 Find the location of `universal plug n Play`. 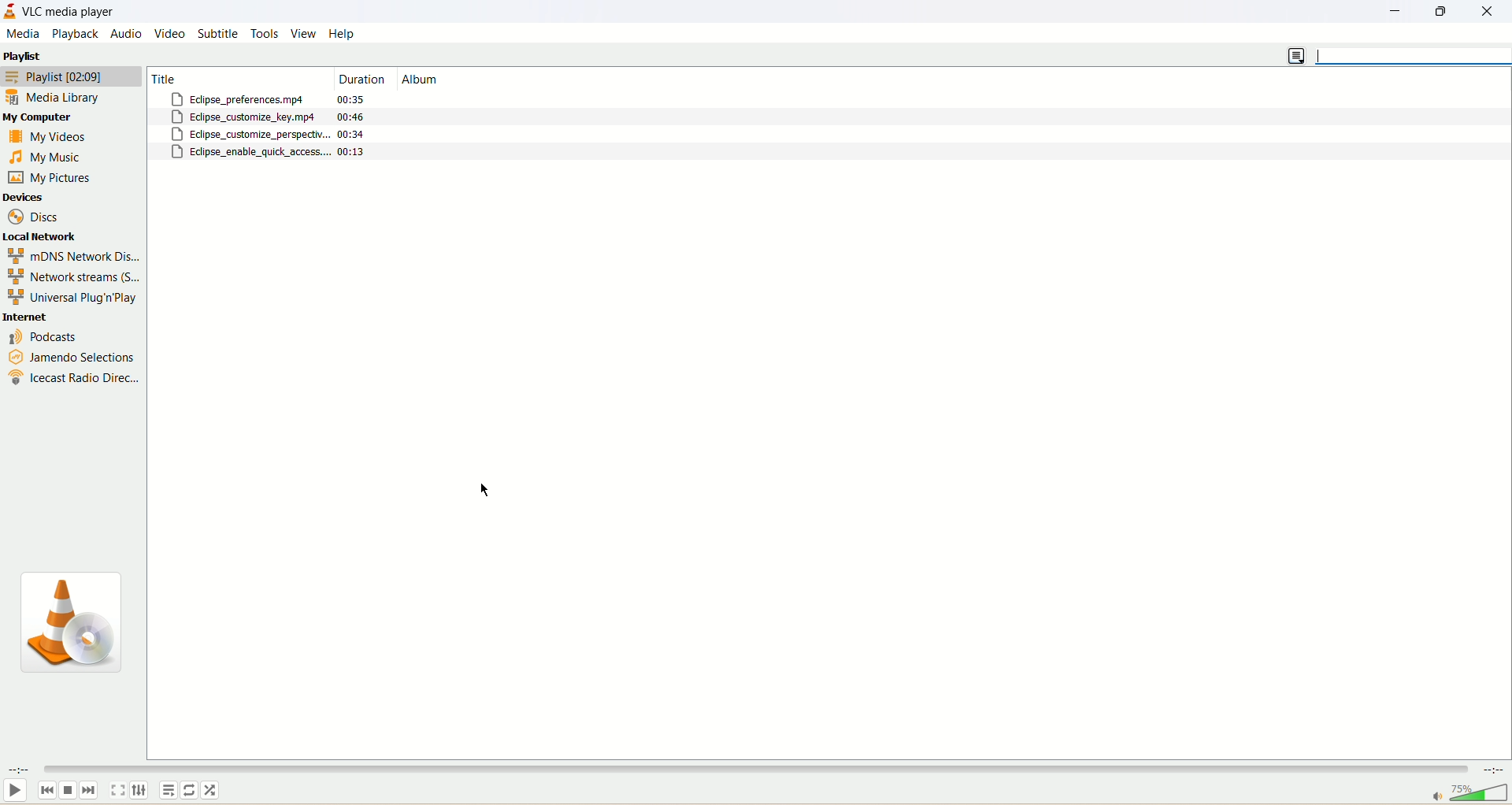

universal plug n Play is located at coordinates (70, 297).